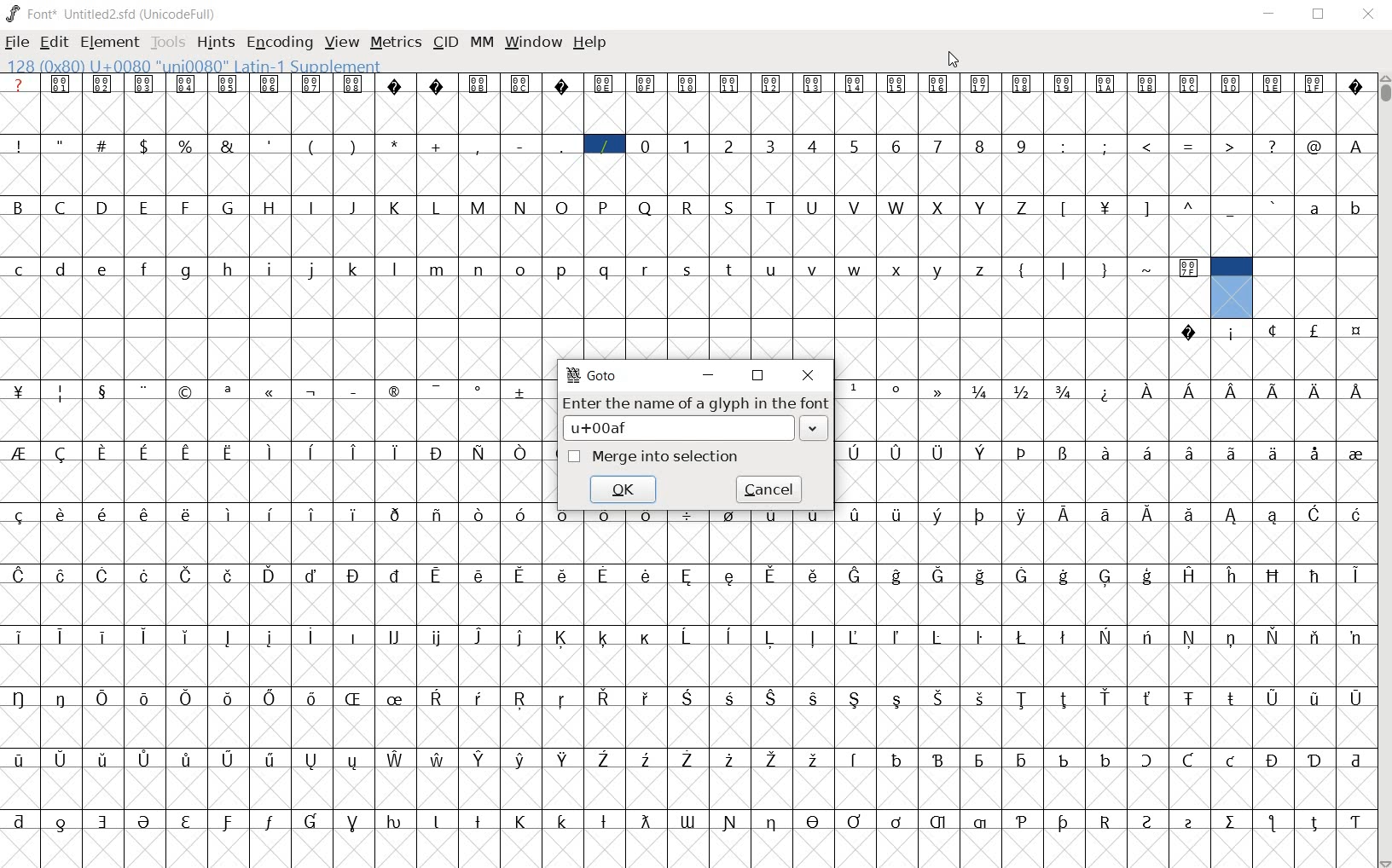 The height and width of the screenshot is (868, 1392). Describe the element at coordinates (565, 821) in the screenshot. I see `Symbol` at that location.